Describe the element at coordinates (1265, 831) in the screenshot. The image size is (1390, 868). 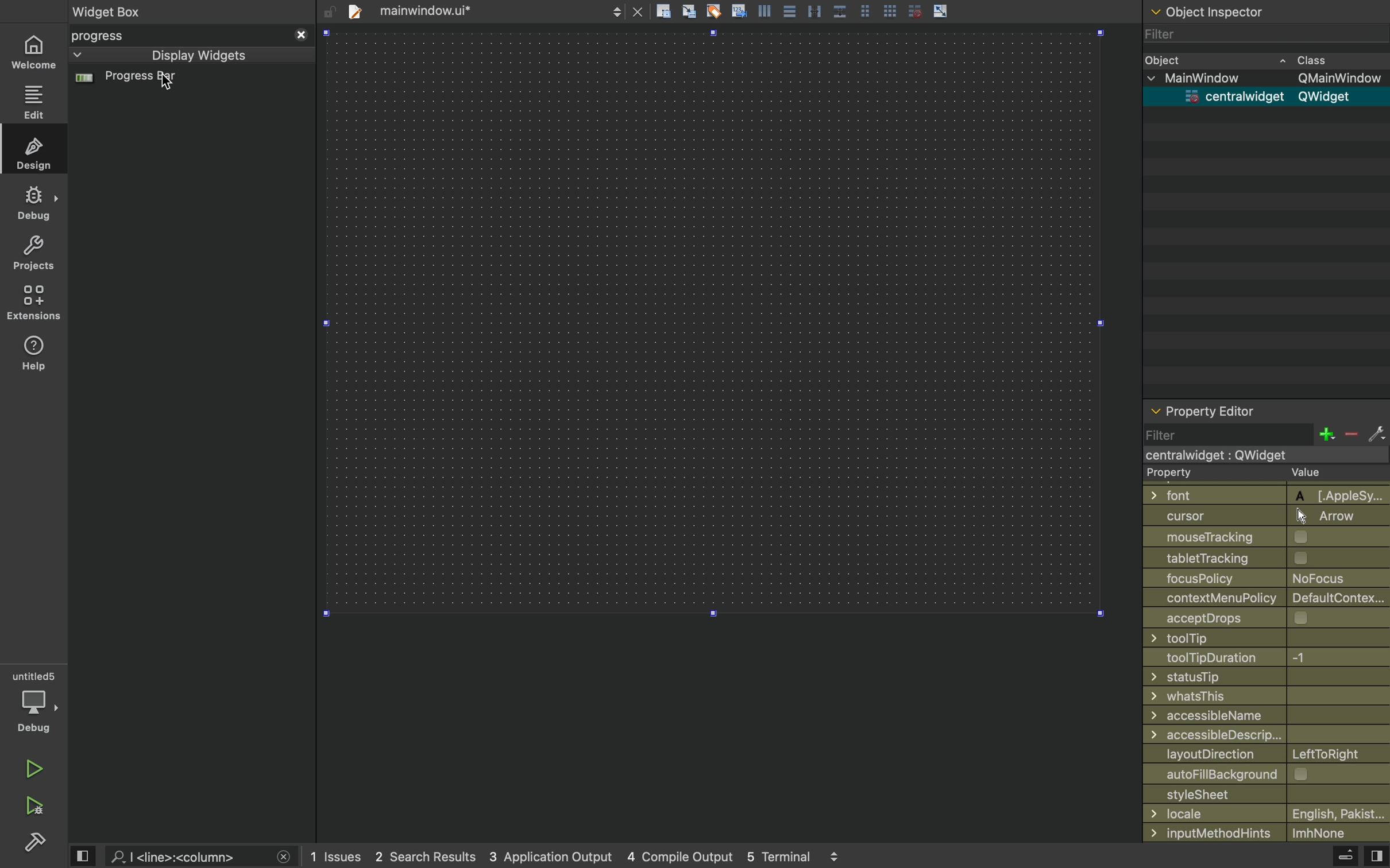
I see `inputmethodhints` at that location.